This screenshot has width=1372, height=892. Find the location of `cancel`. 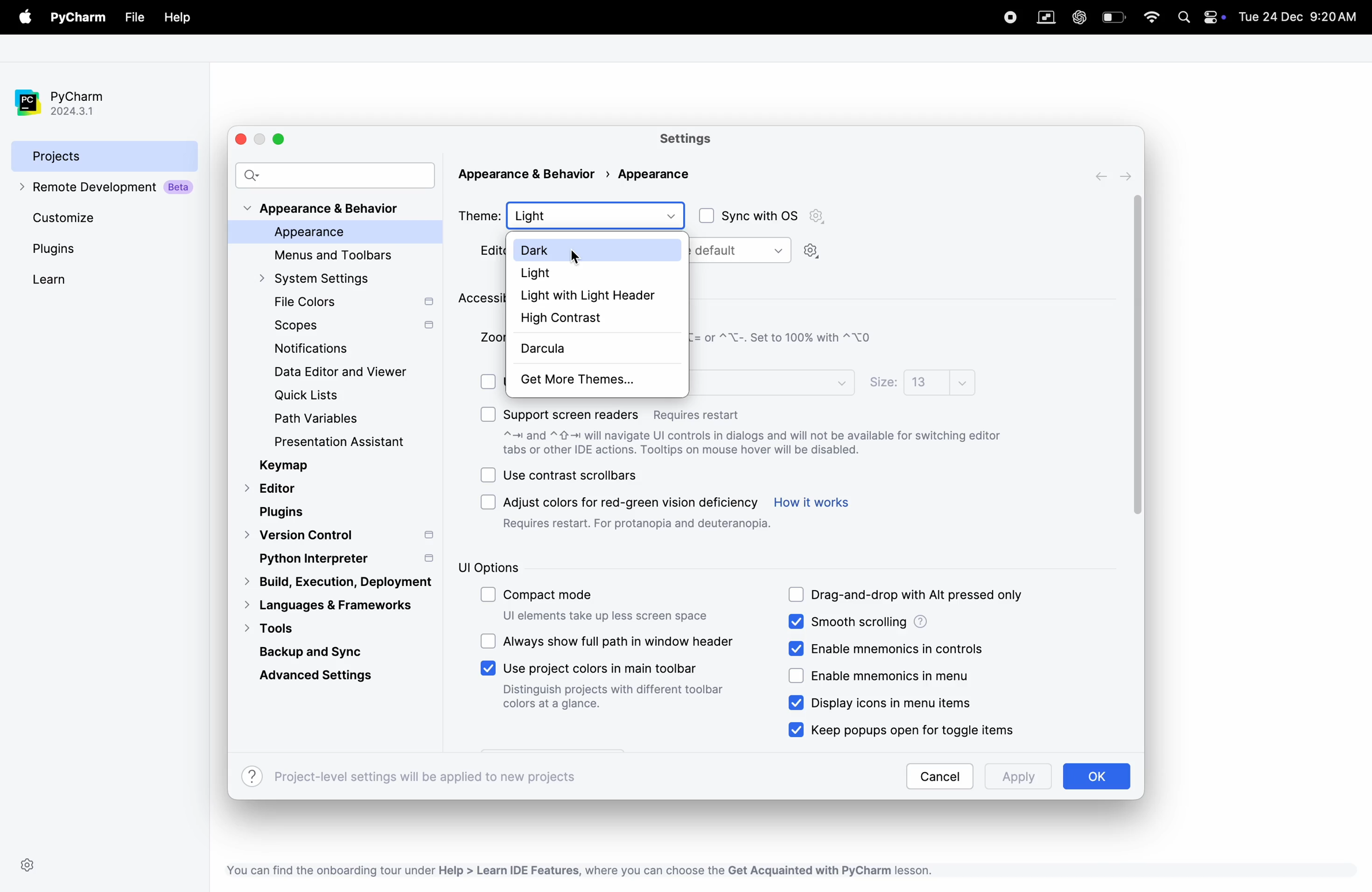

cancel is located at coordinates (939, 776).